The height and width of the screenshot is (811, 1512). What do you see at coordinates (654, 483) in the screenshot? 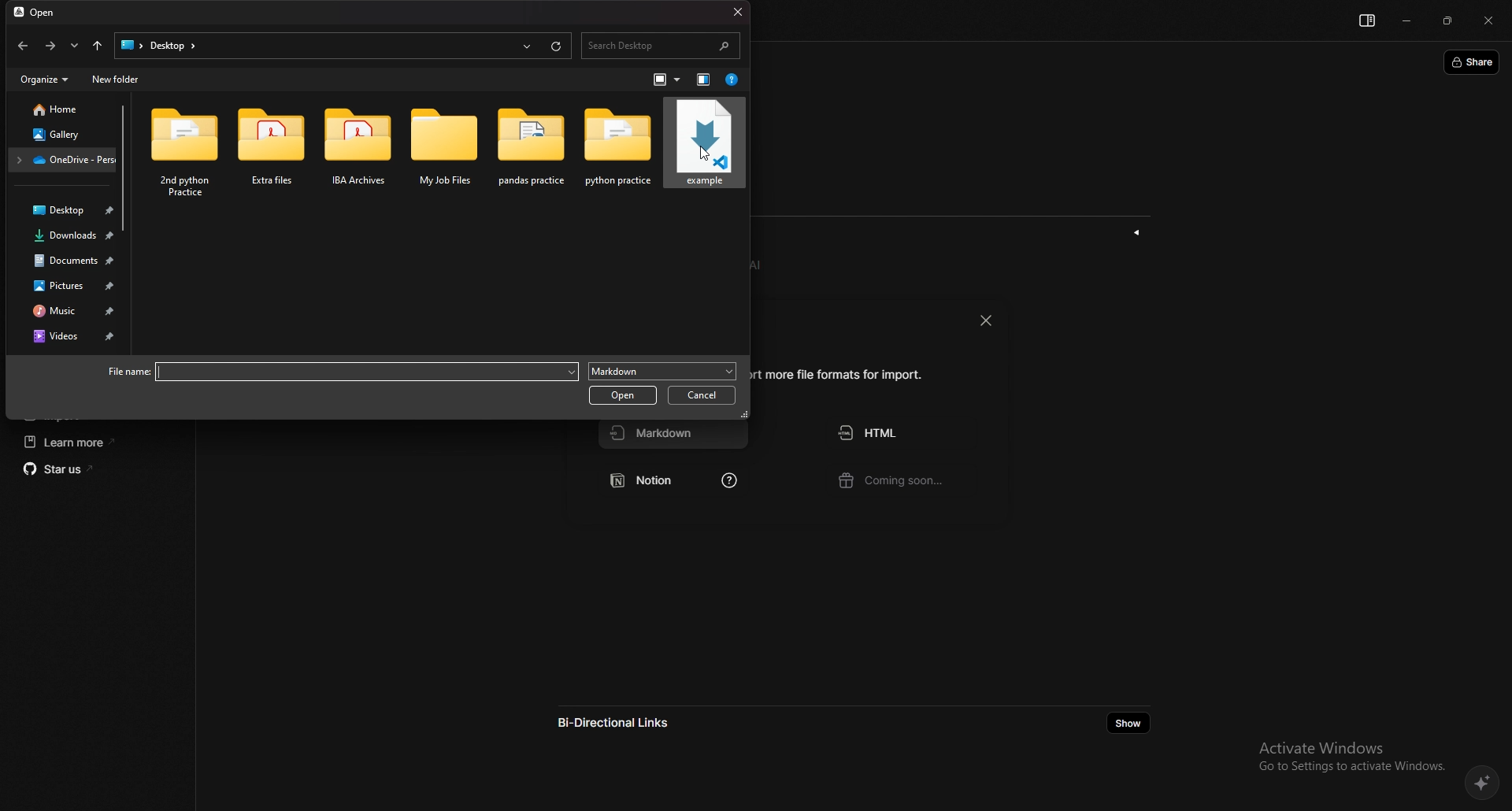
I see `notion` at bounding box center [654, 483].